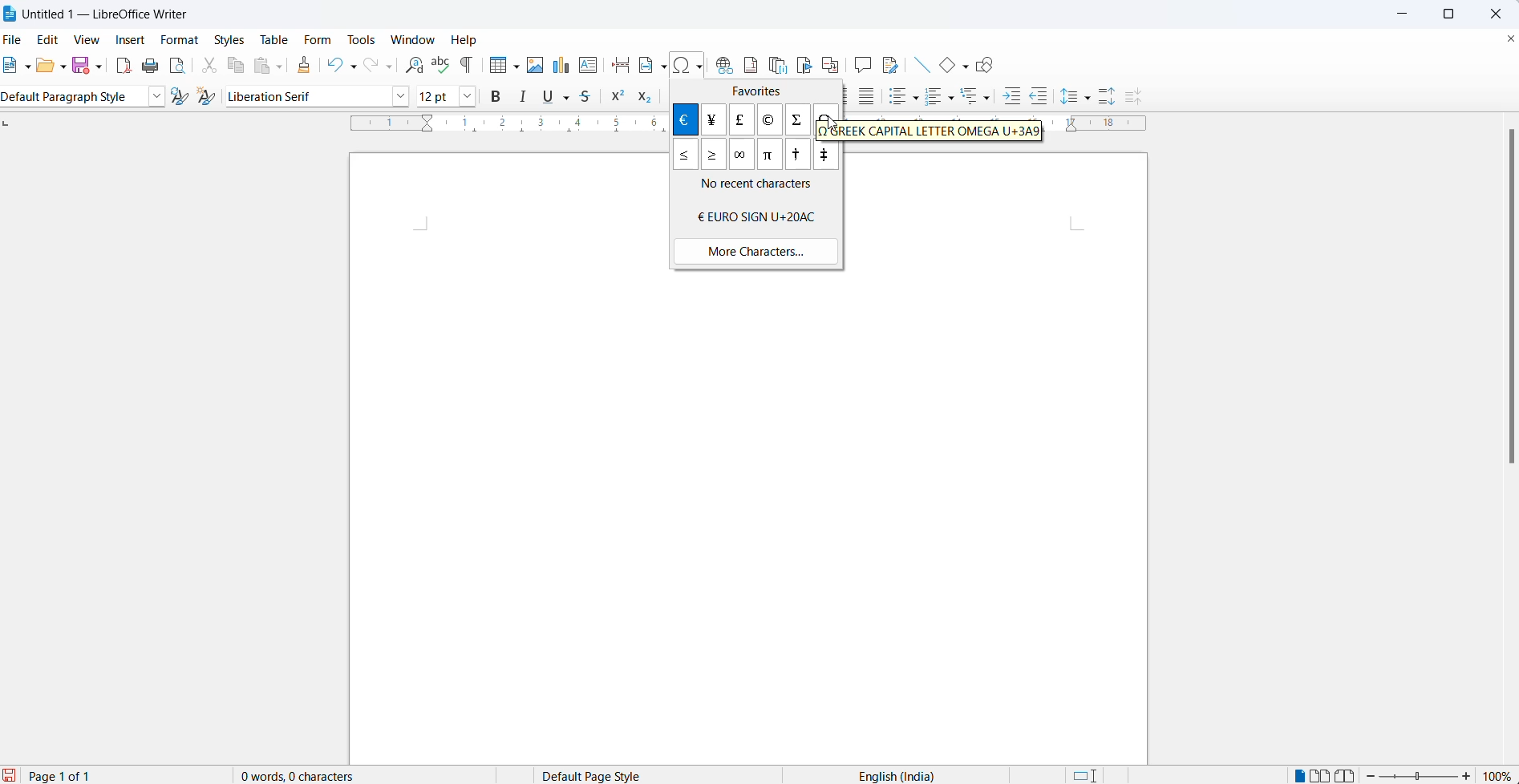 The image size is (1519, 784). Describe the element at coordinates (758, 216) in the screenshot. I see `euro ` at that location.